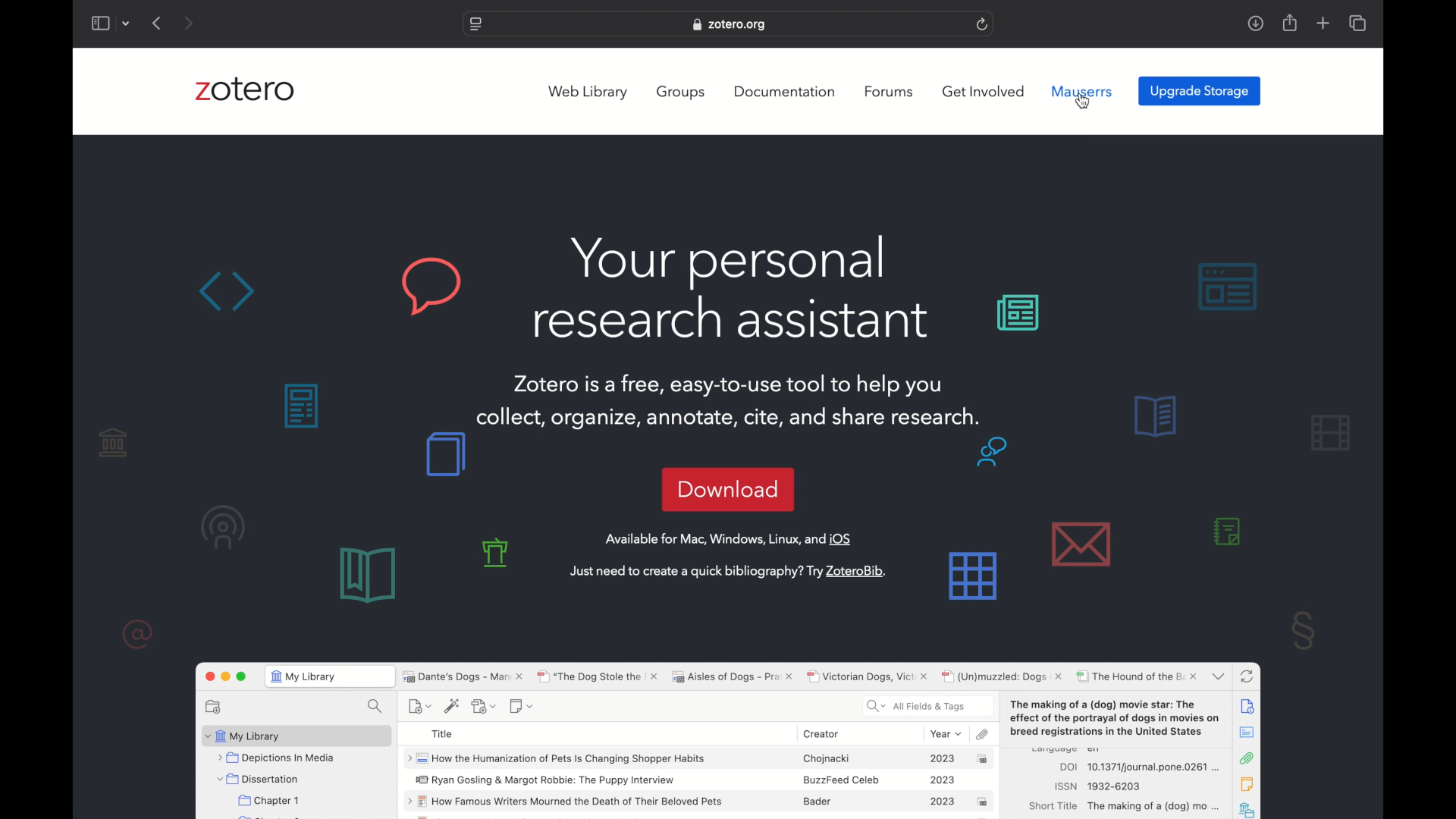  I want to click on share, so click(1291, 24).